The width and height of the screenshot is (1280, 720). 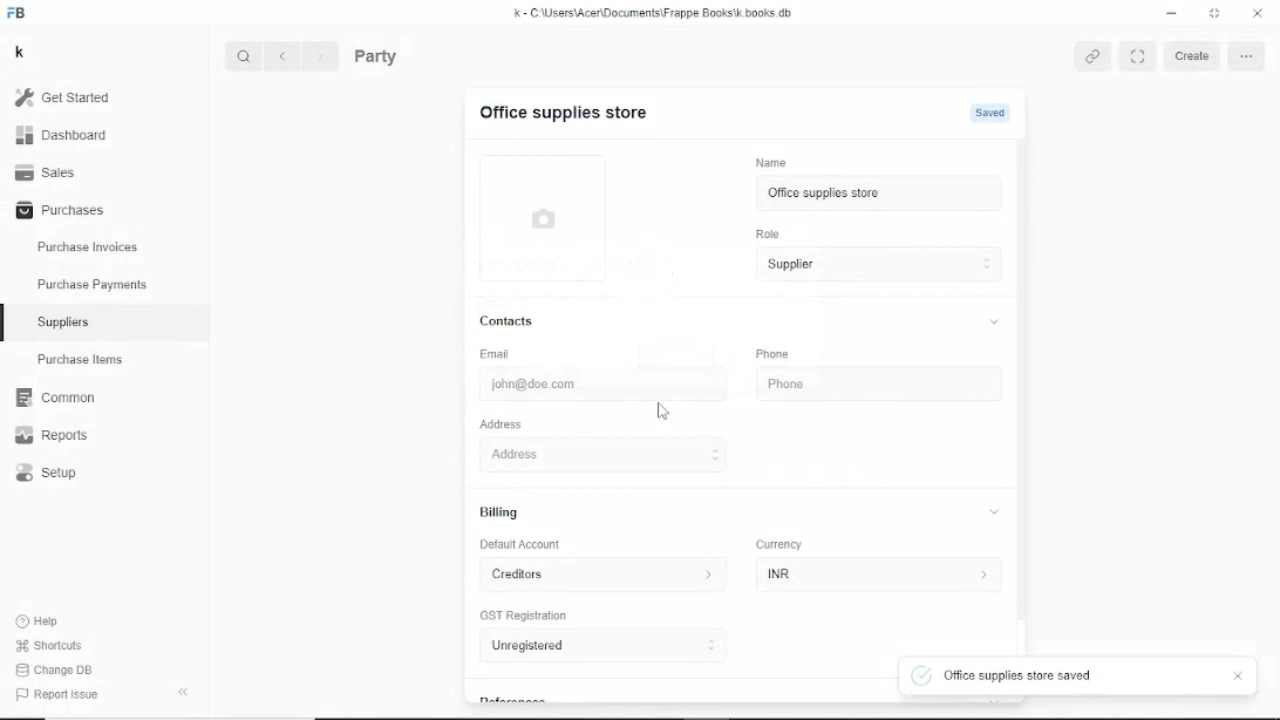 I want to click on Toggle between form and full width, so click(x=1214, y=13).